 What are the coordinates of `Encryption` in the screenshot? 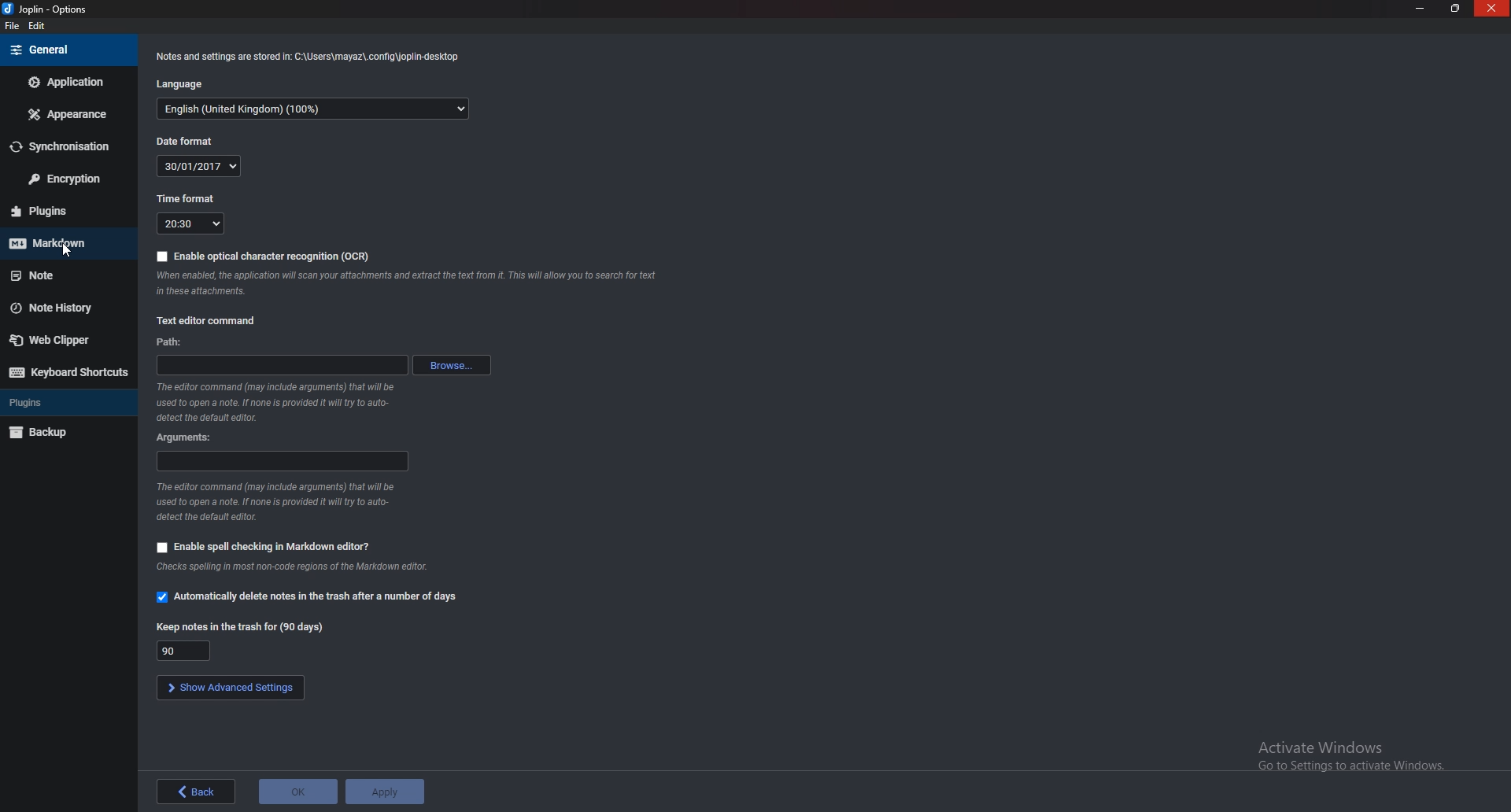 It's located at (68, 179).